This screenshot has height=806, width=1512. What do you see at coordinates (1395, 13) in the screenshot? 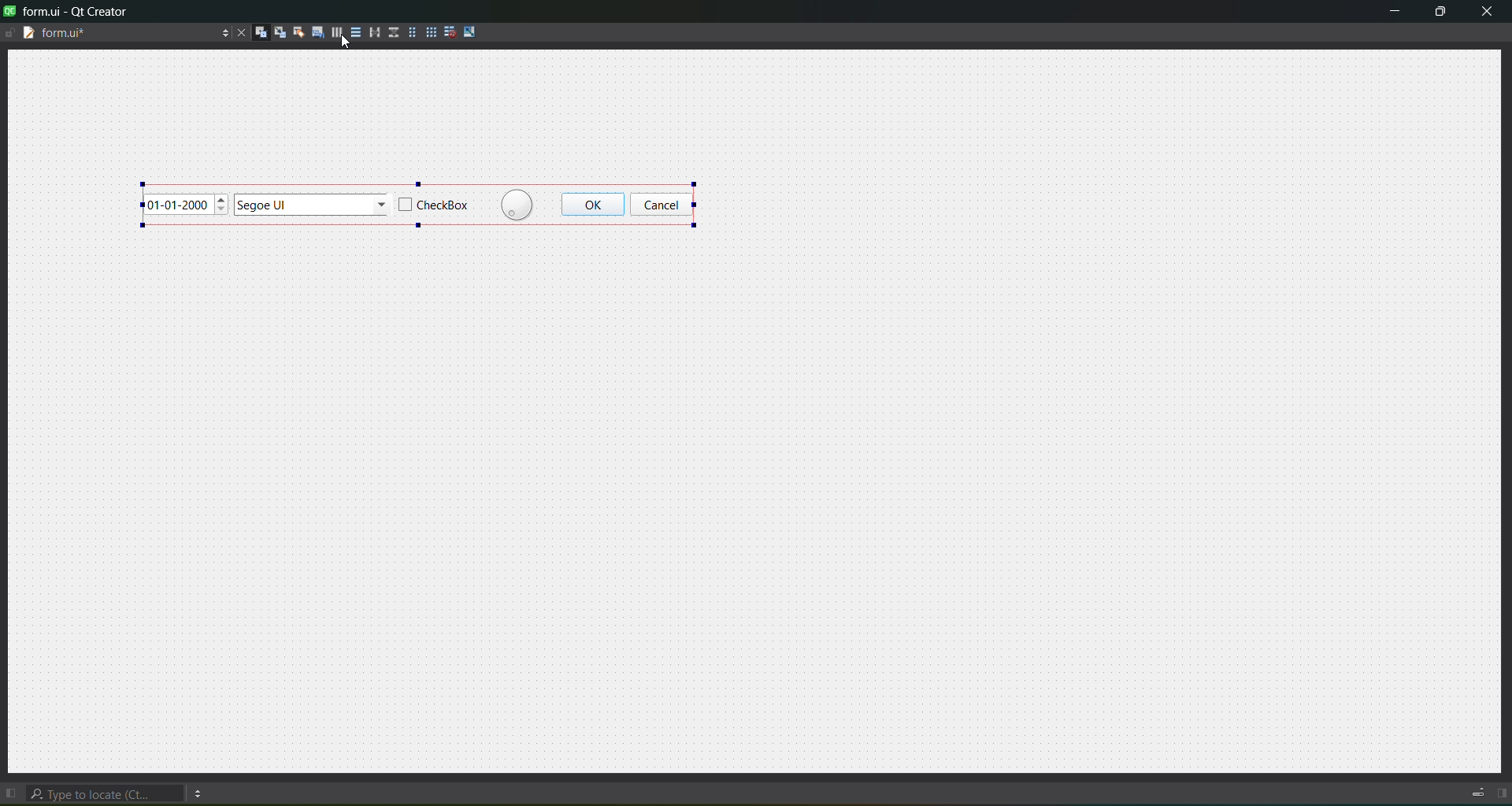
I see `minimize` at bounding box center [1395, 13].